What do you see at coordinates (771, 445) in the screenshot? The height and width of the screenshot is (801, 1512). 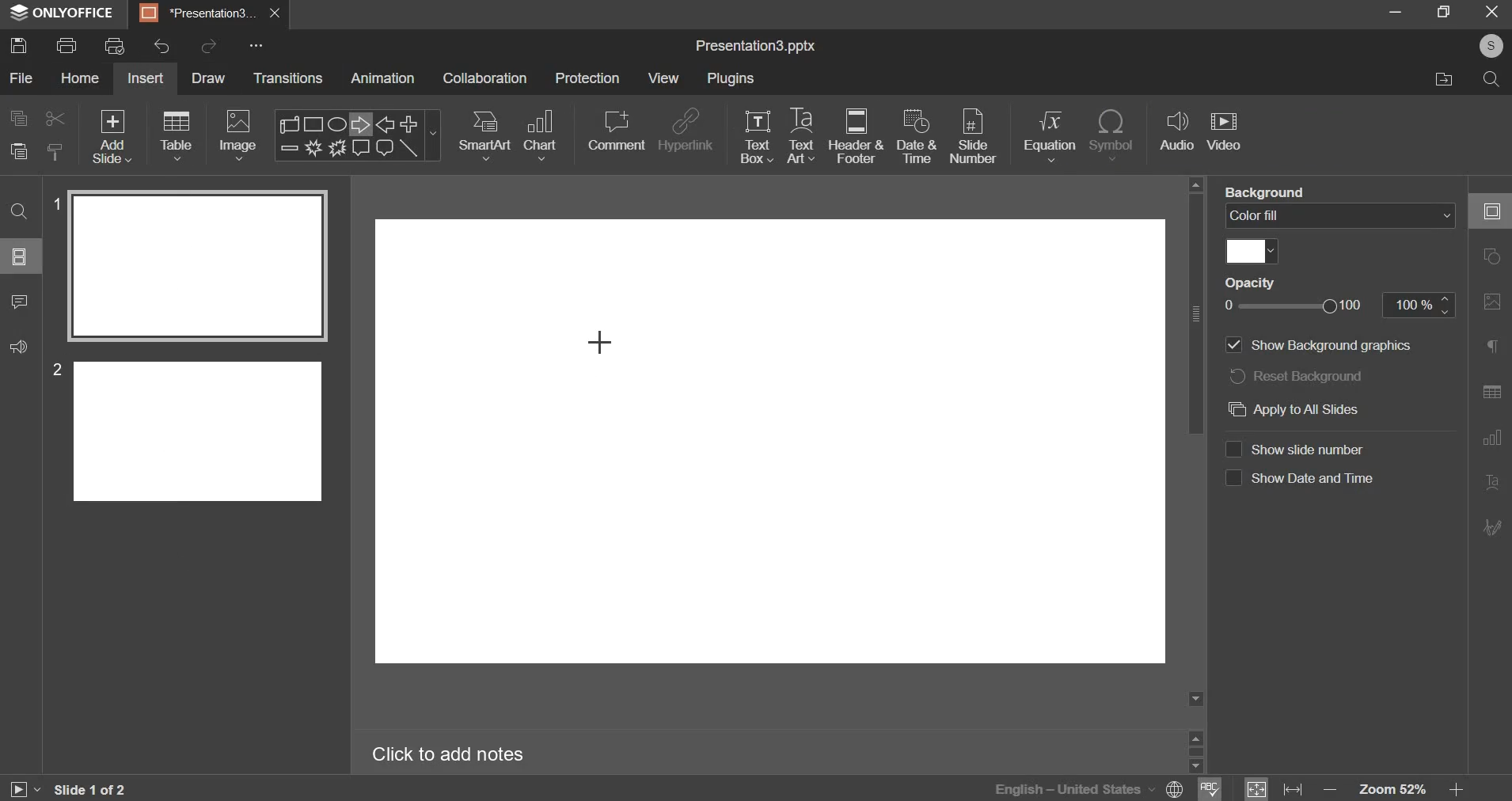 I see `editor` at bounding box center [771, 445].